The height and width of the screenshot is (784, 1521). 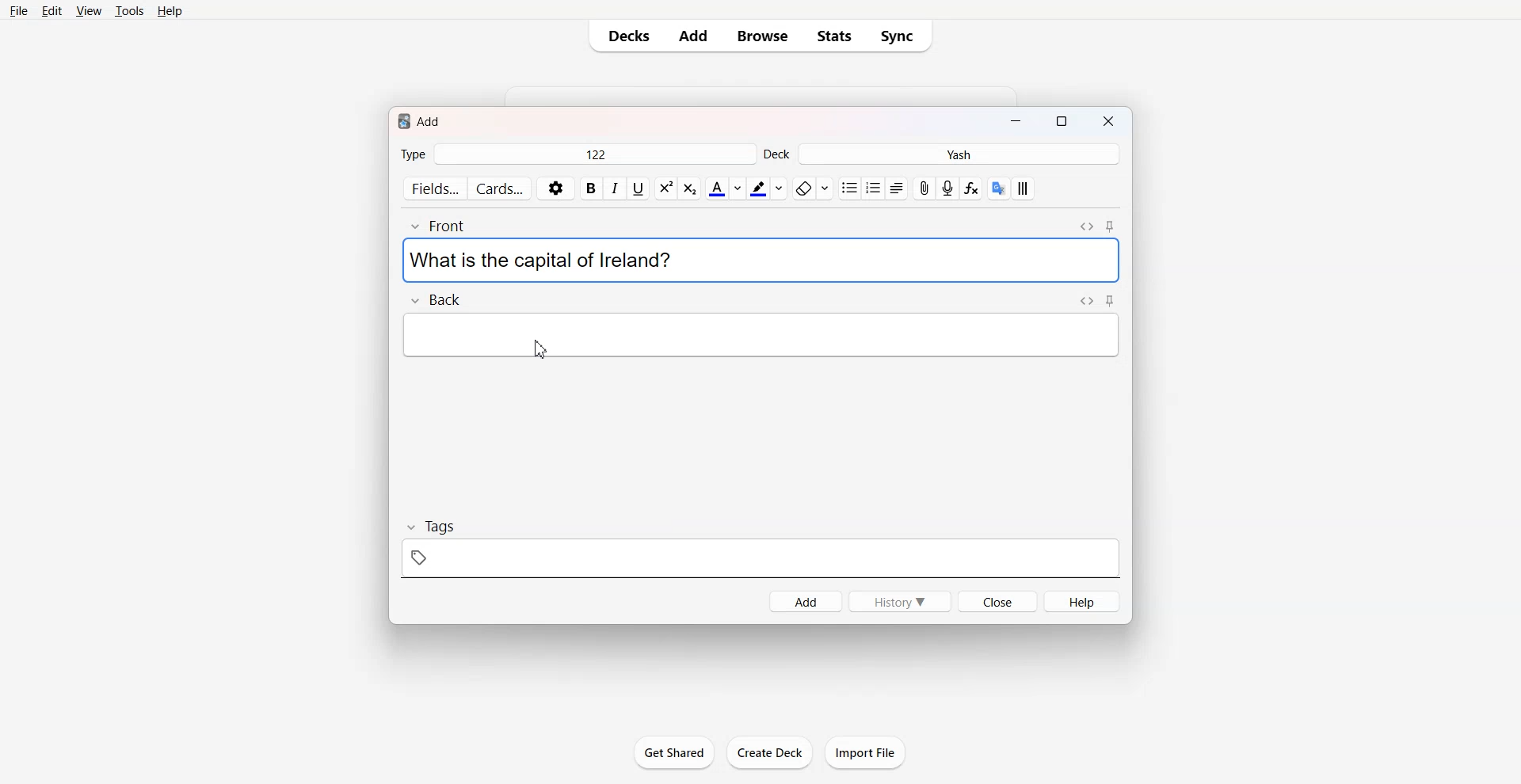 What do you see at coordinates (1088, 300) in the screenshot?
I see `Toggle HTML Editor` at bounding box center [1088, 300].